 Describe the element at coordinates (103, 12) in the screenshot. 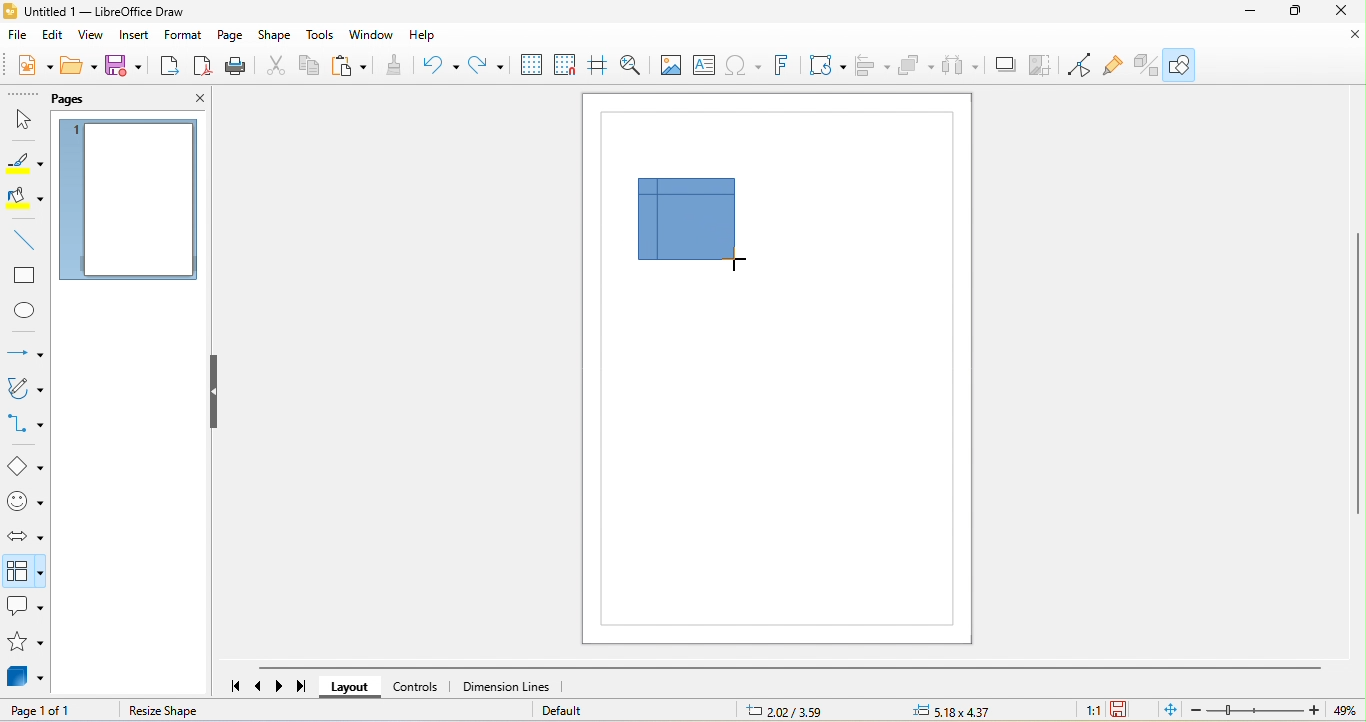

I see `untitled 1- libre office draw` at that location.